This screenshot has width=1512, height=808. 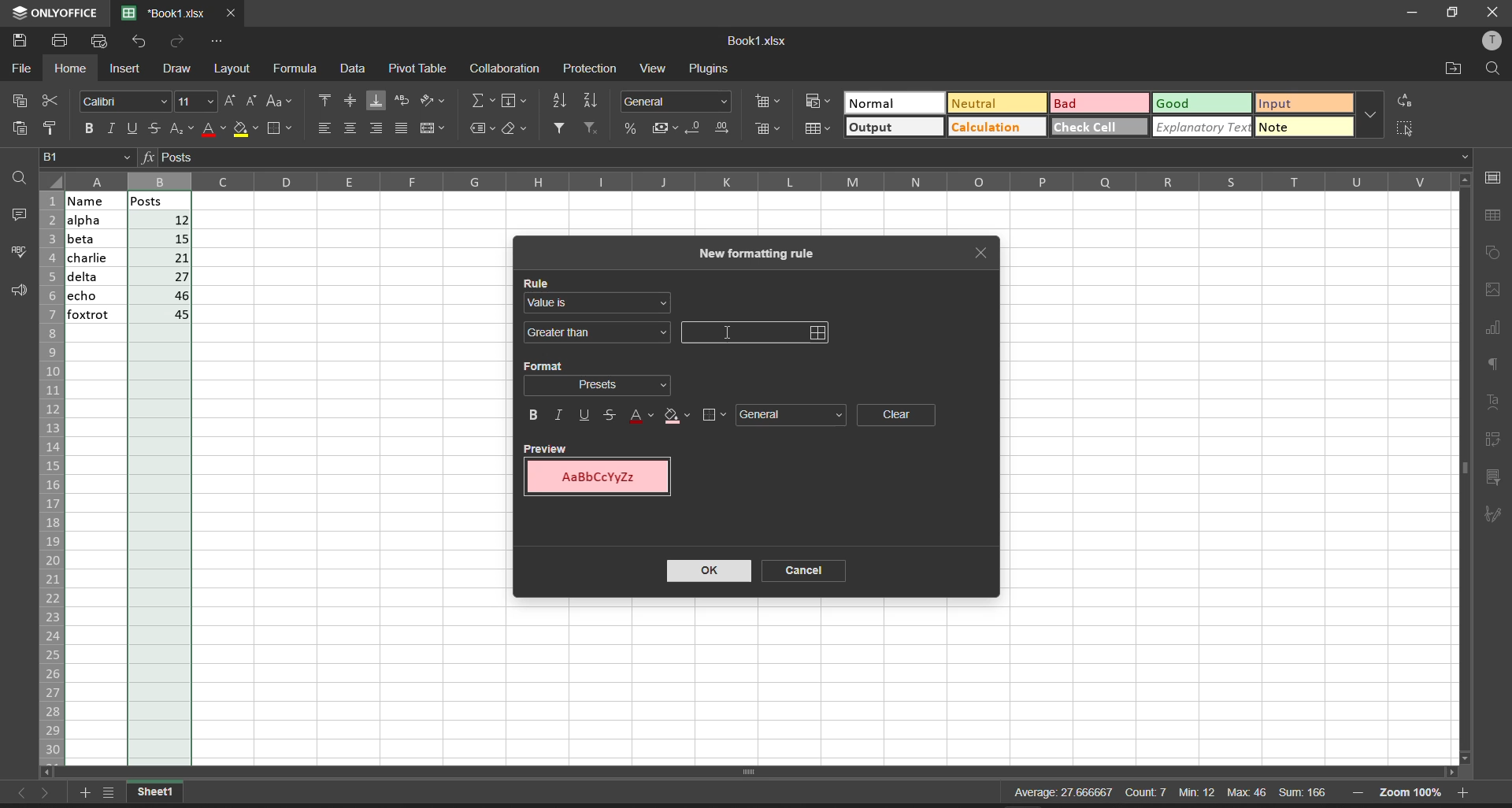 I want to click on scroll up, so click(x=1466, y=182).